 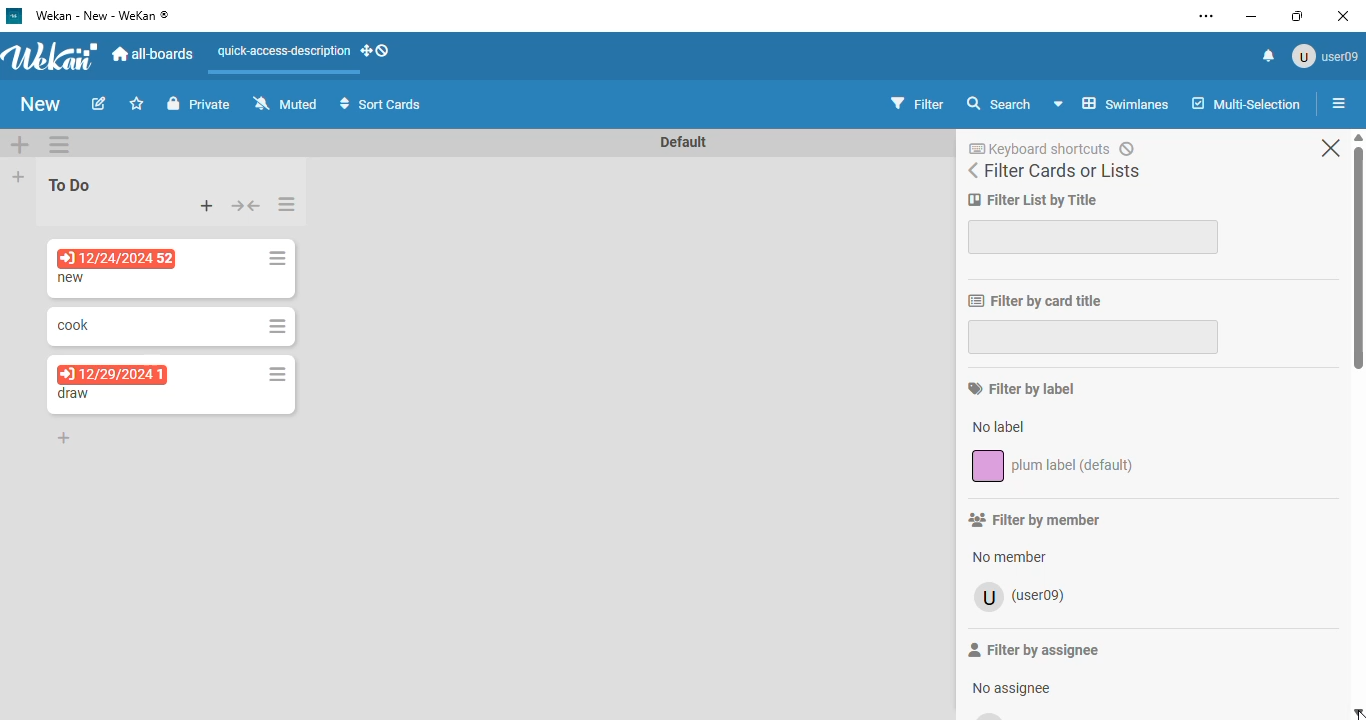 What do you see at coordinates (1034, 301) in the screenshot?
I see `filter by card title` at bounding box center [1034, 301].